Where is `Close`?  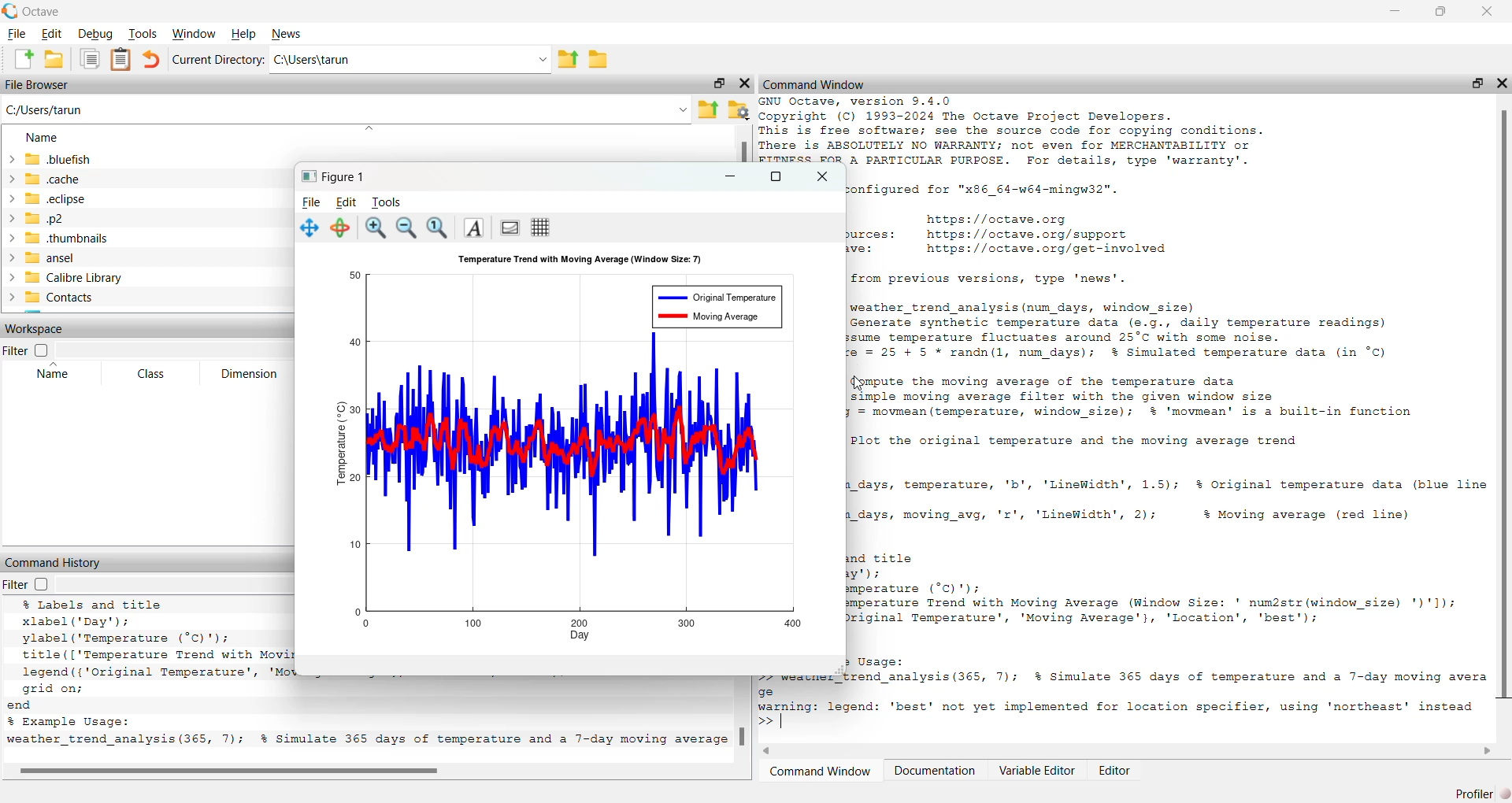 Close is located at coordinates (1487, 13).